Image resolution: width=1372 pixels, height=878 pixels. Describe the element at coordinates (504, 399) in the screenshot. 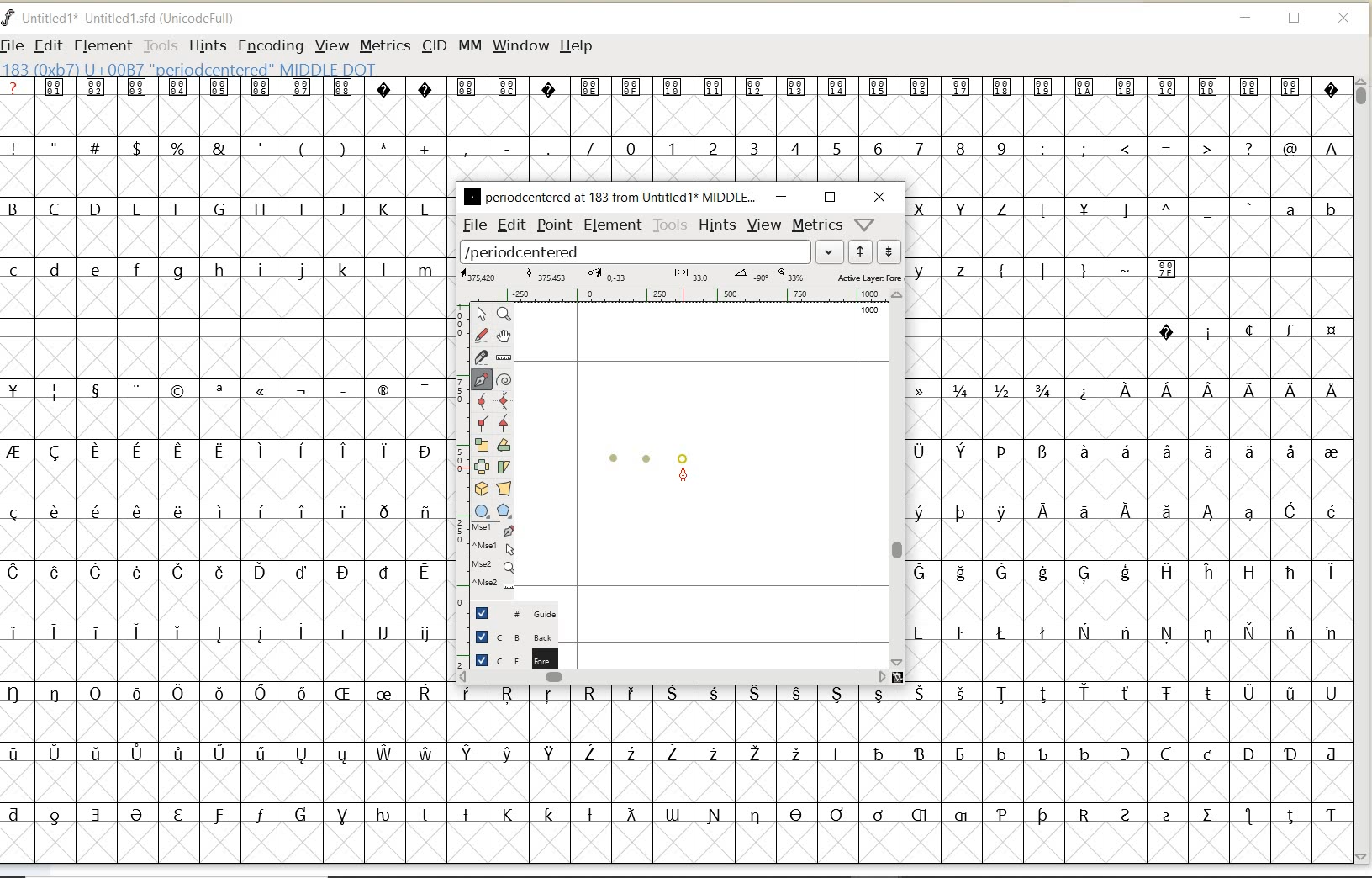

I see `add a curve point always either horizontal or vertical` at that location.